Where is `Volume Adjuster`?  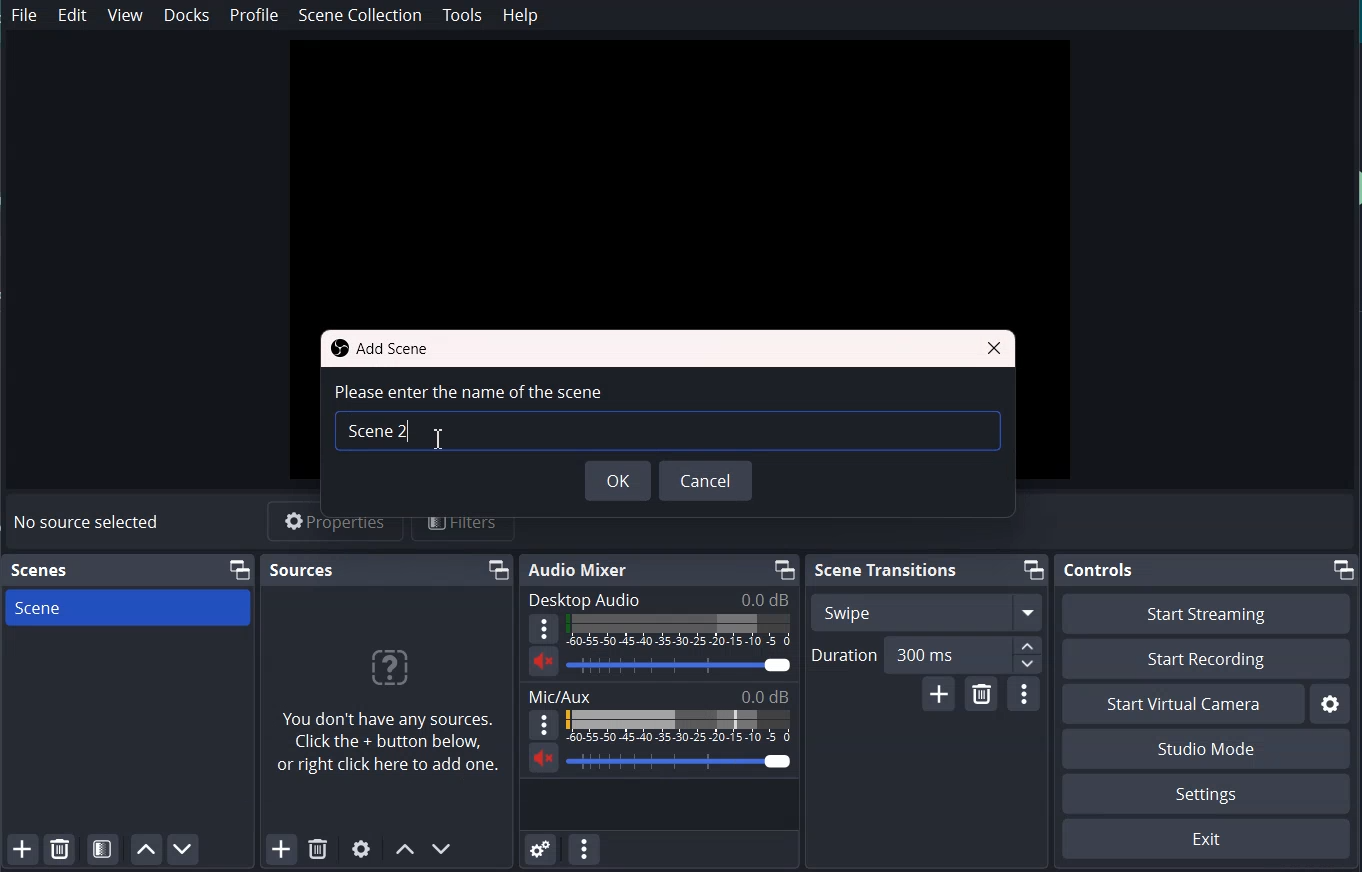 Volume Adjuster is located at coordinates (680, 664).